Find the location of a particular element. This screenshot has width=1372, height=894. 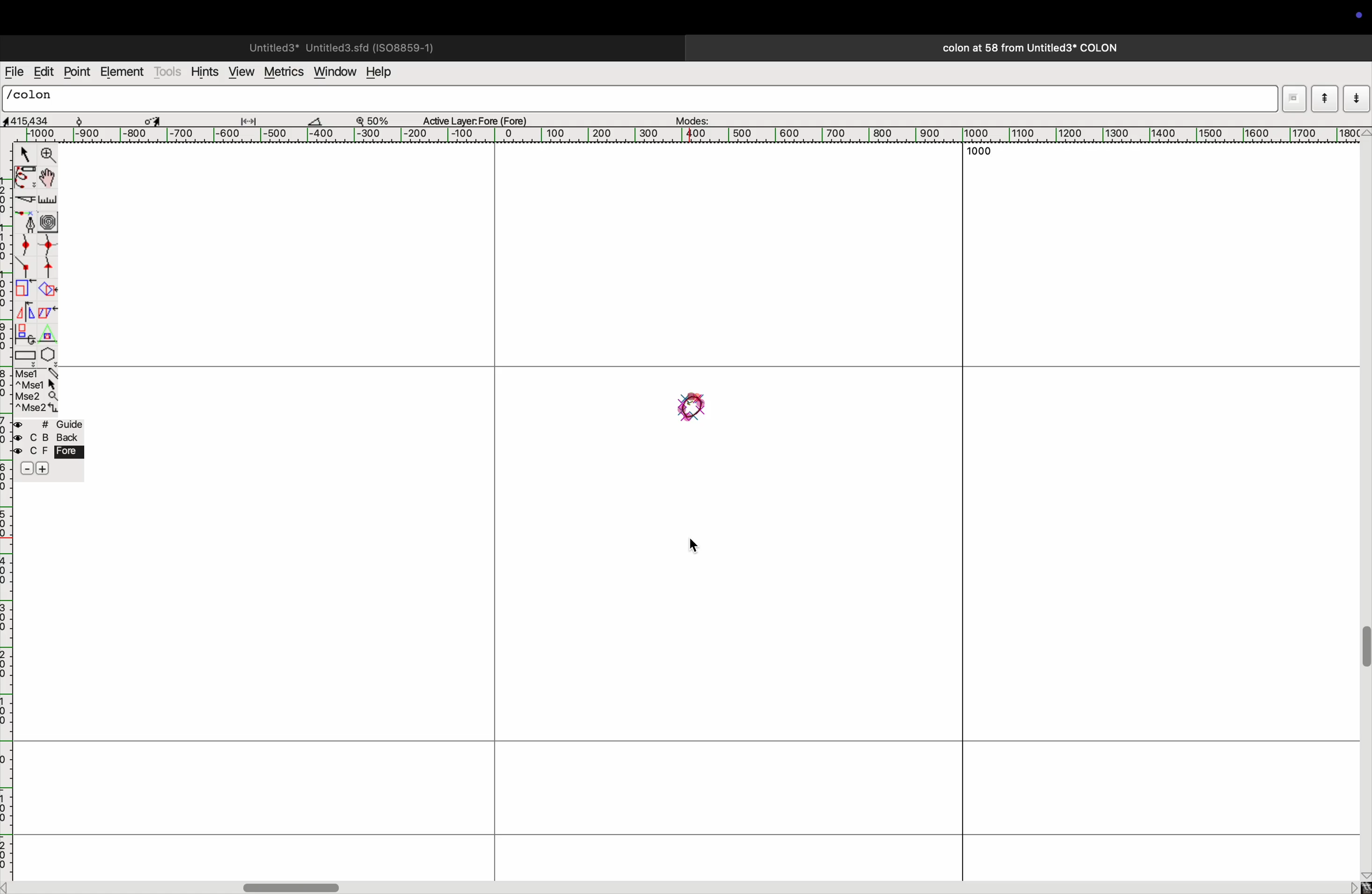

aspect ratio is located at coordinates (31, 121).